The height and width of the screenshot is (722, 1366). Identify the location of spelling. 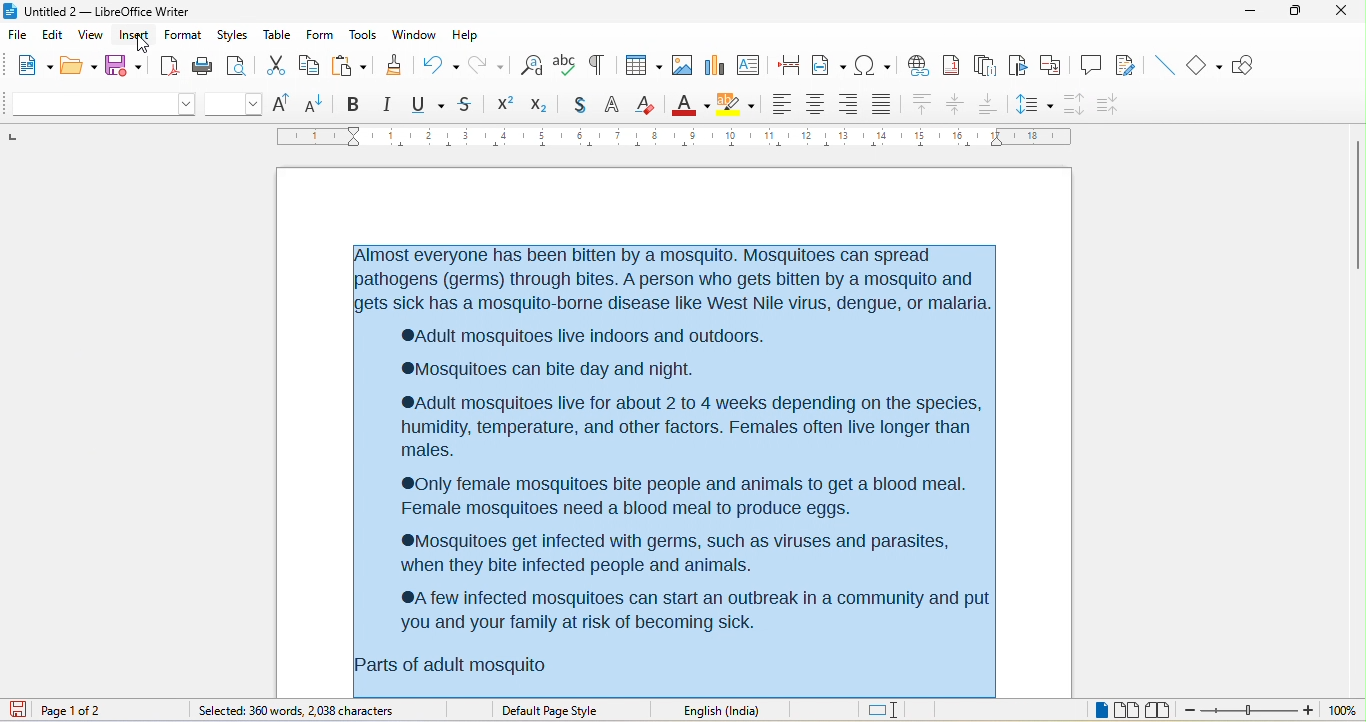
(567, 66).